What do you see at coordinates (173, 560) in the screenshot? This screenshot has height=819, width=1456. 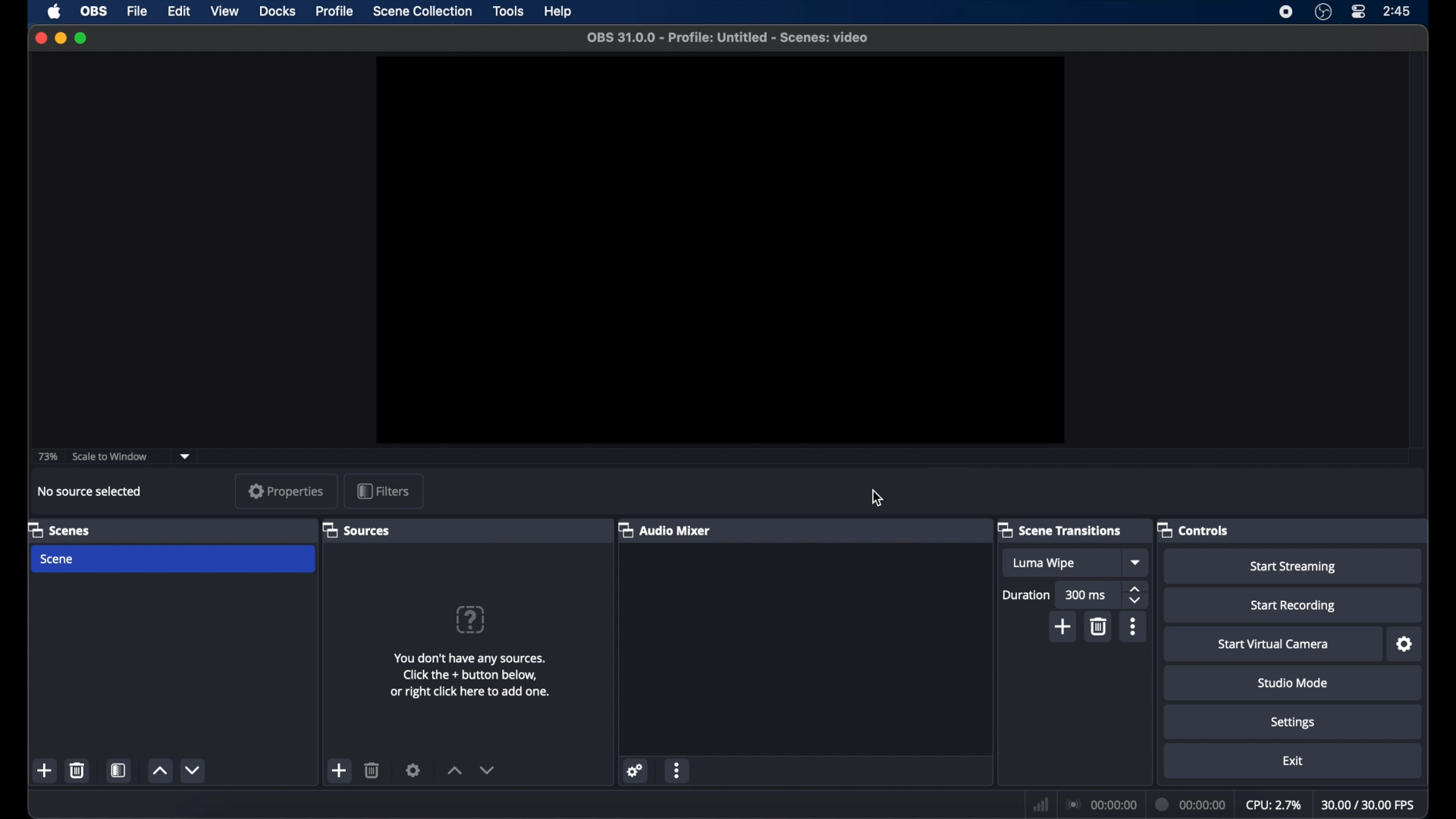 I see `scene` at bounding box center [173, 560].